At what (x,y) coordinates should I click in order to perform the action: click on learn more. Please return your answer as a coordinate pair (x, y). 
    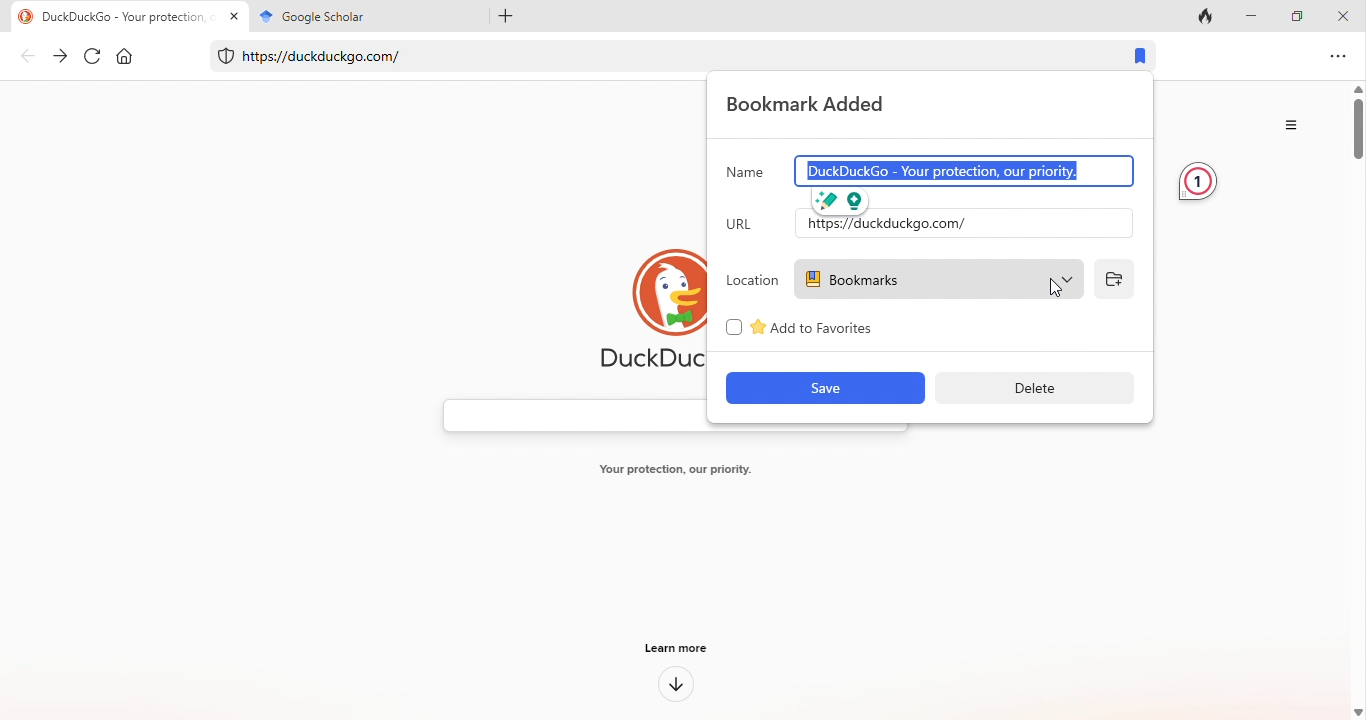
    Looking at the image, I should click on (681, 646).